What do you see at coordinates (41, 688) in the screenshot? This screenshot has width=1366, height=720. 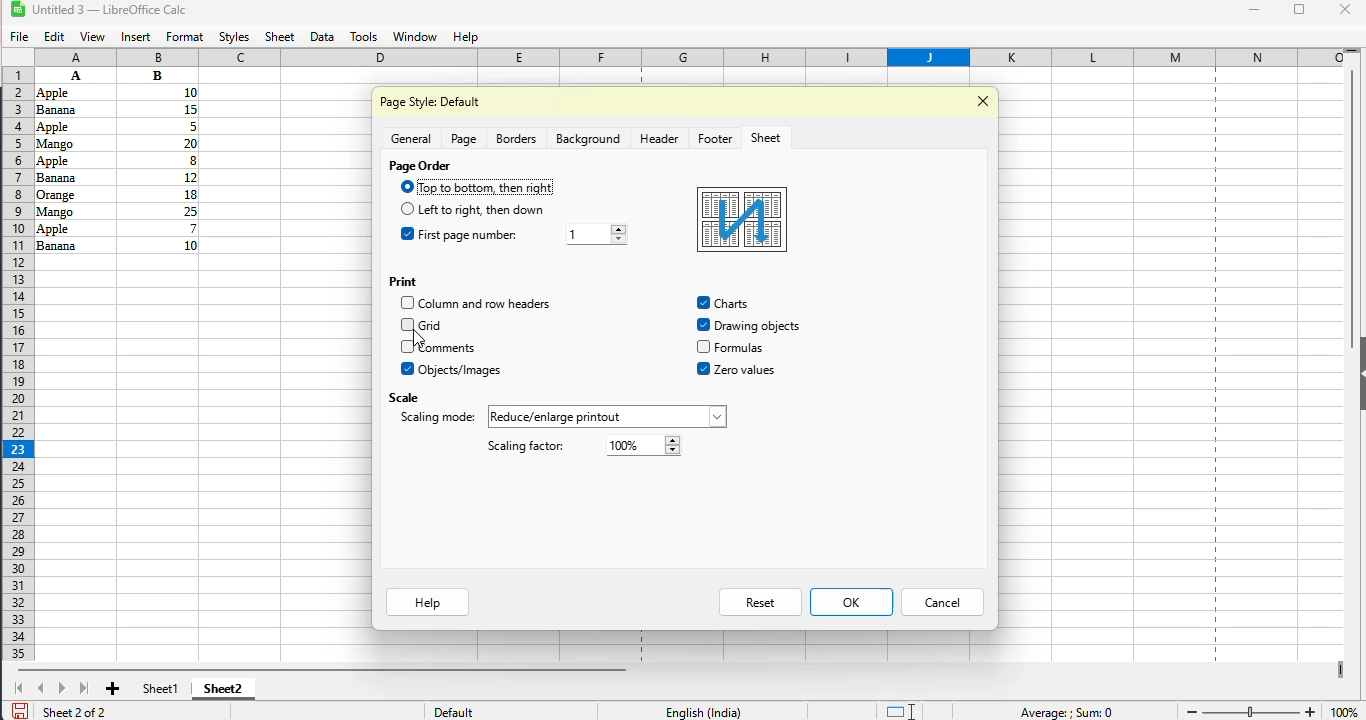 I see `scroll to previous sheet` at bounding box center [41, 688].